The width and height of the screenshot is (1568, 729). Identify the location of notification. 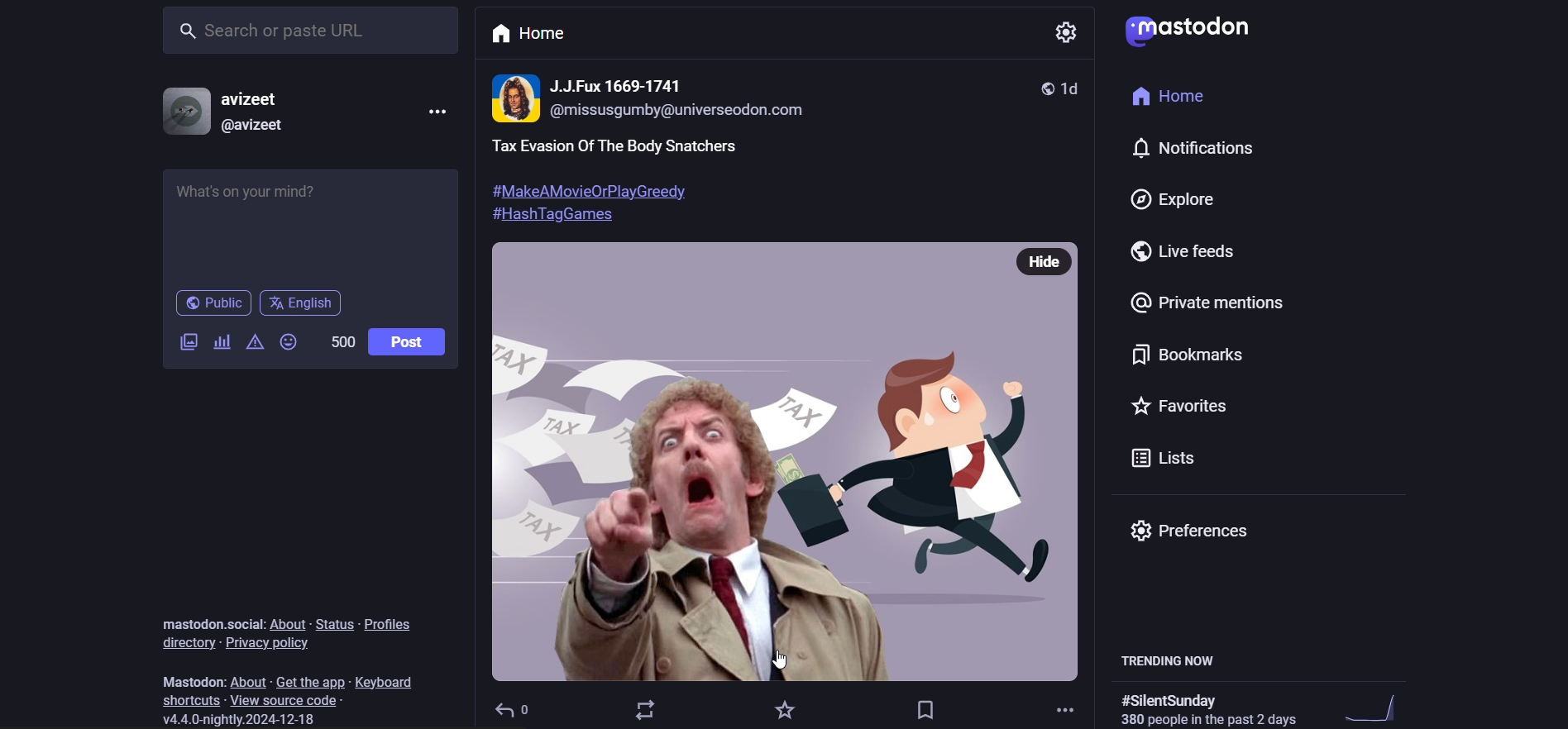
(1175, 144).